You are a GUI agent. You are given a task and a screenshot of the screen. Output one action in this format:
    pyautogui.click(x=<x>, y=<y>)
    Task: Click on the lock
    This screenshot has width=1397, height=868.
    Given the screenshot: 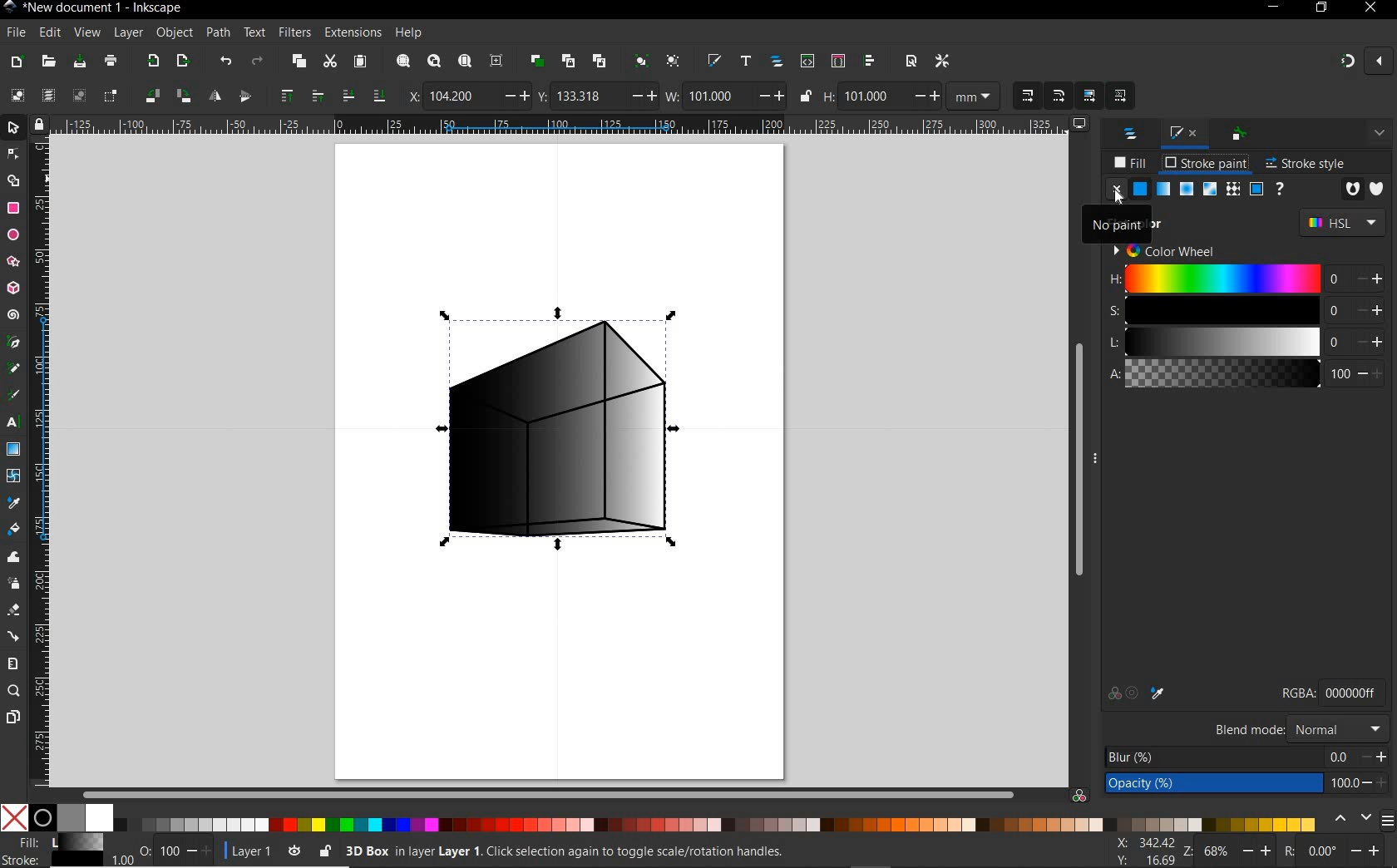 What is the action you would take?
    pyautogui.click(x=39, y=124)
    